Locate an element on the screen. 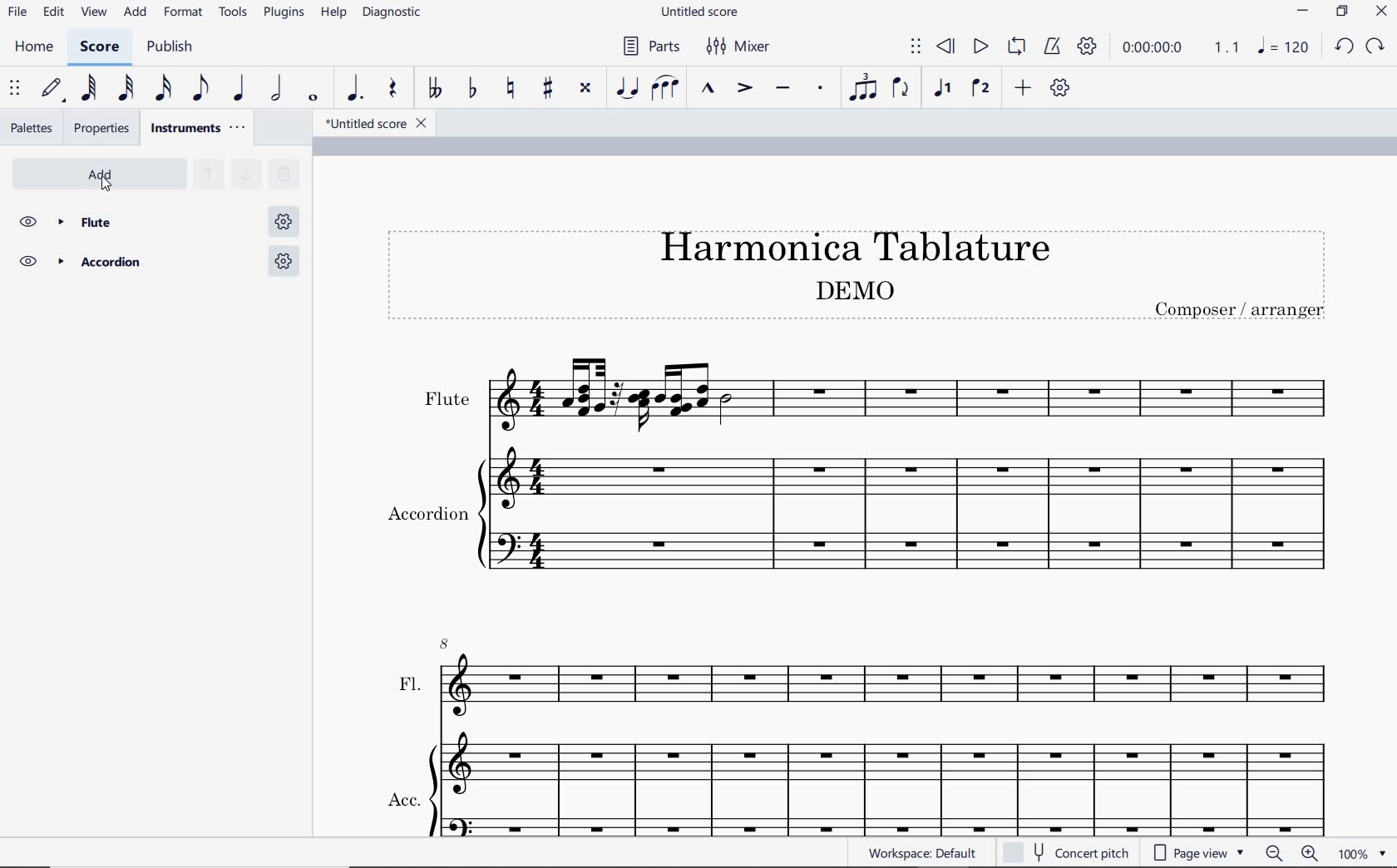 The width and height of the screenshot is (1397, 868). file name is located at coordinates (369, 122).